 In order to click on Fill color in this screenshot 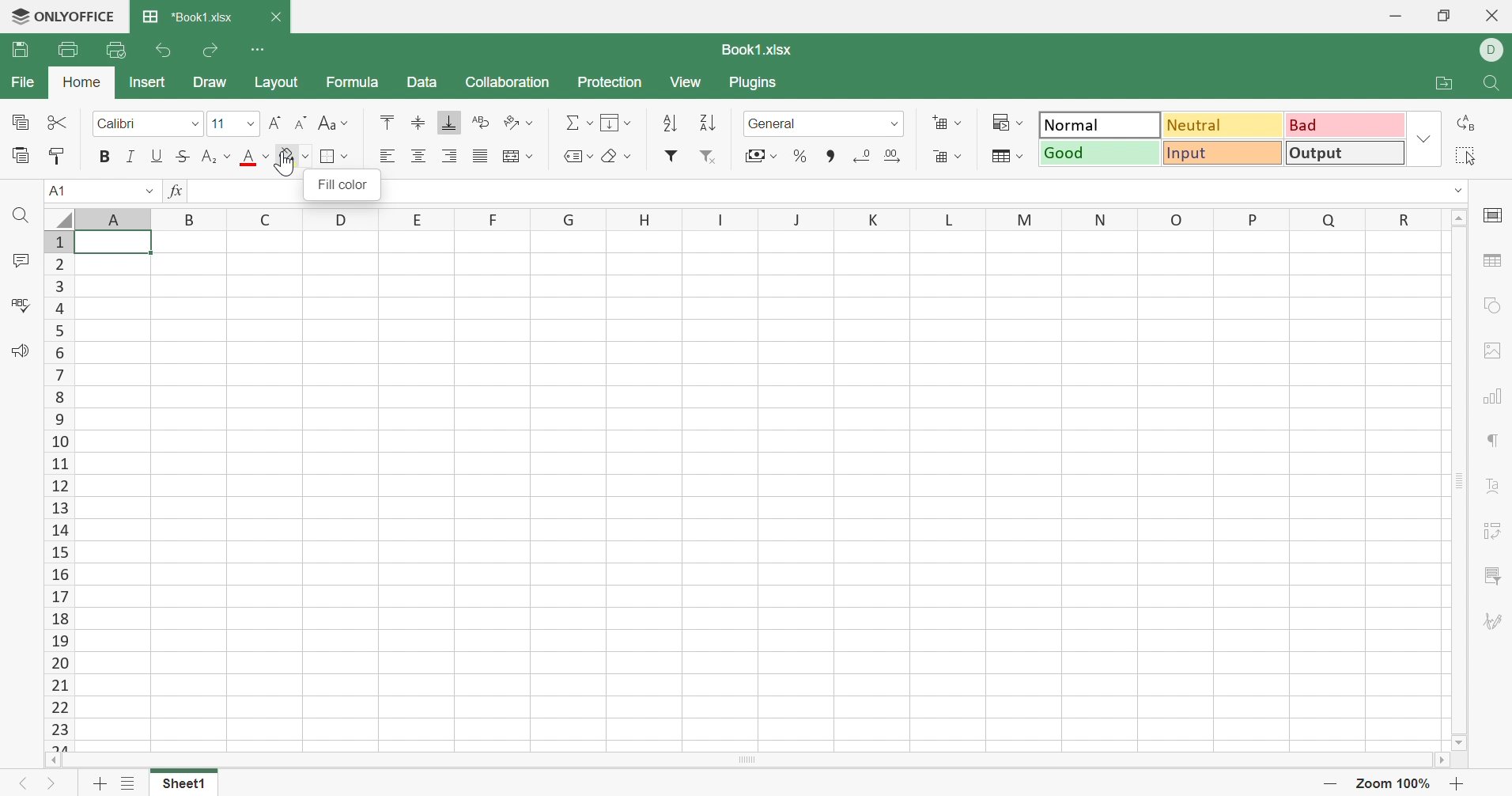, I will do `click(294, 157)`.